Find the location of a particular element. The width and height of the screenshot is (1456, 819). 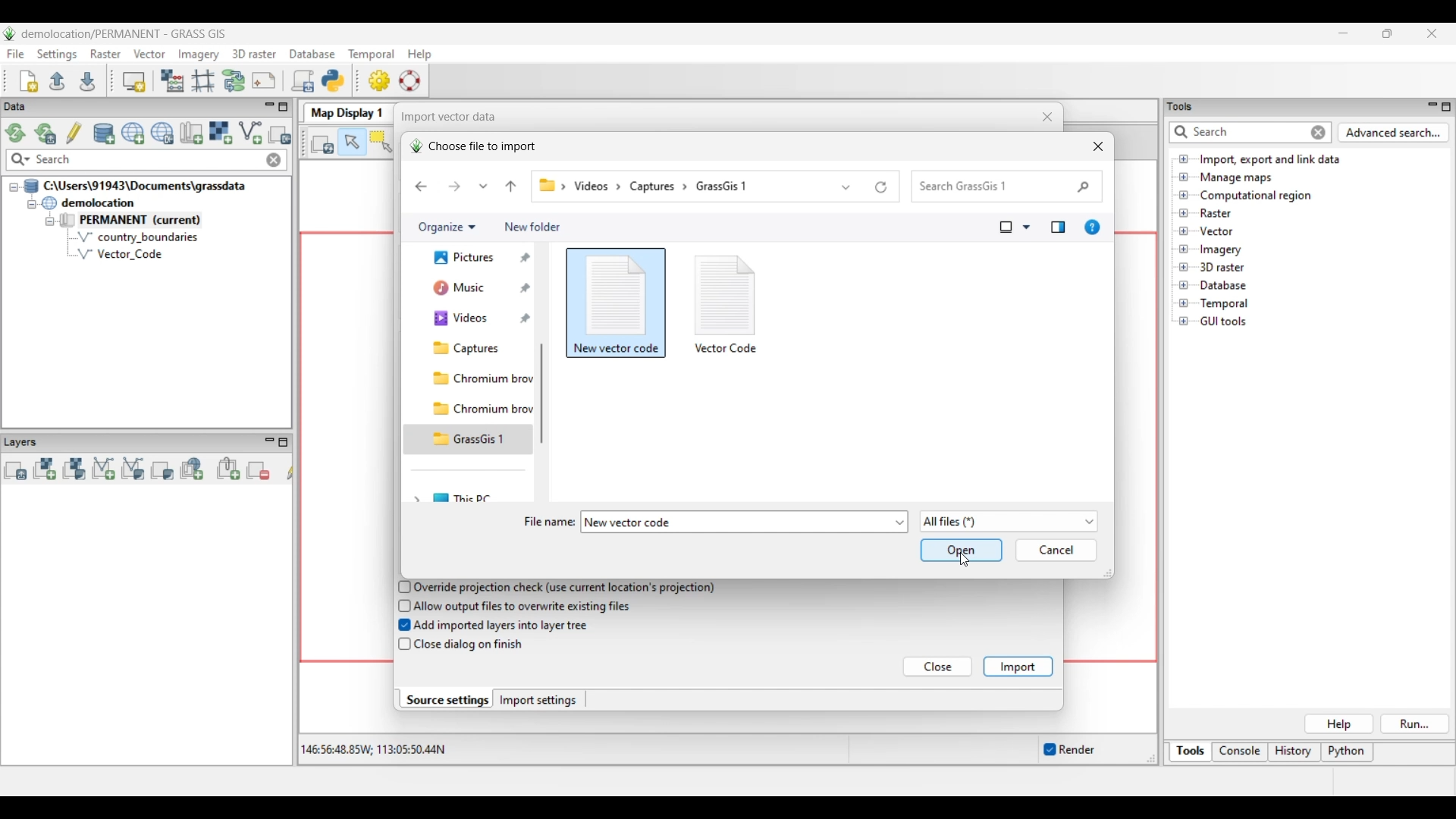

Double click to see files under Database is located at coordinates (1222, 286).